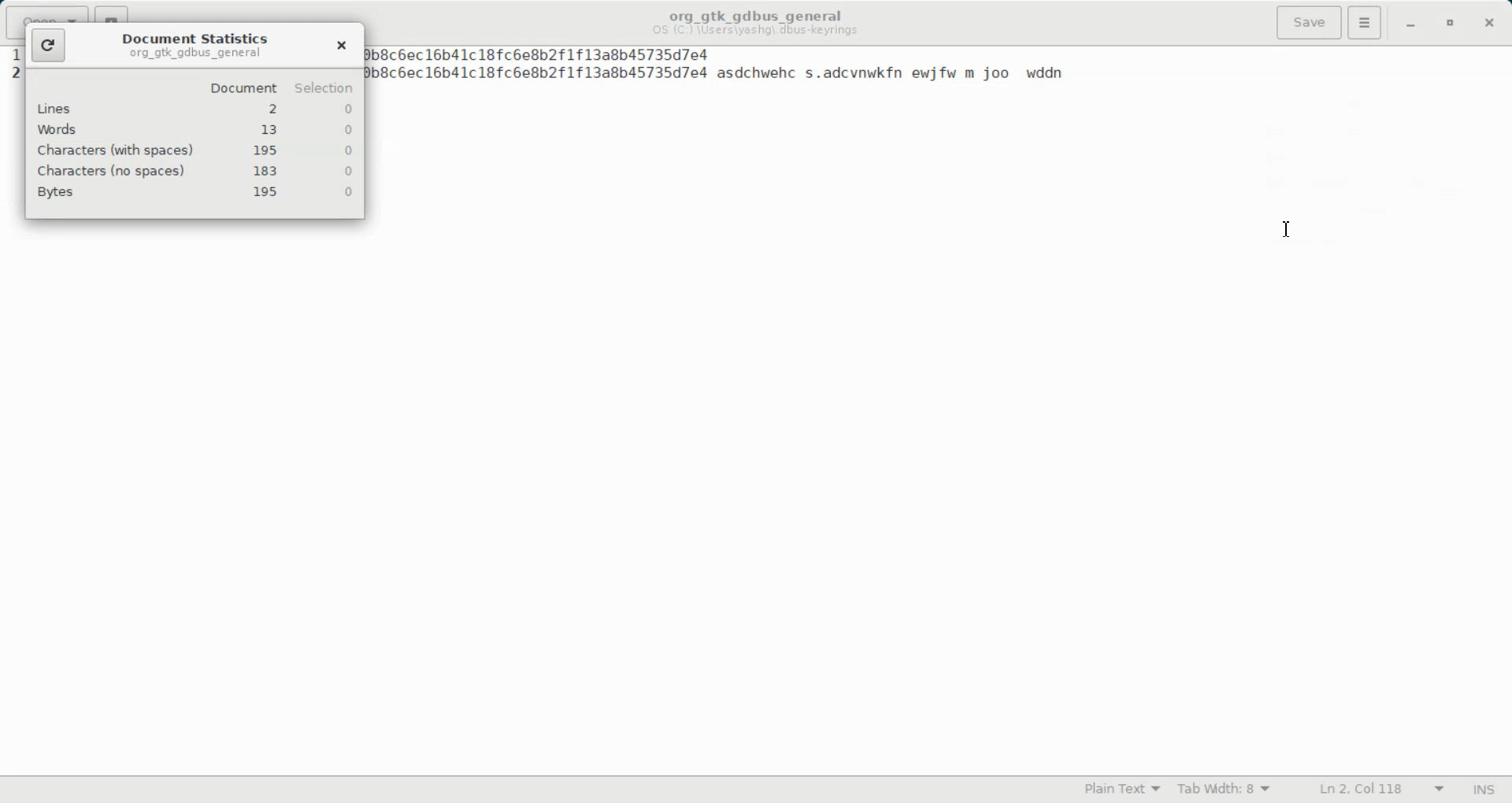 The width and height of the screenshot is (1512, 803). I want to click on 195, so click(264, 192).